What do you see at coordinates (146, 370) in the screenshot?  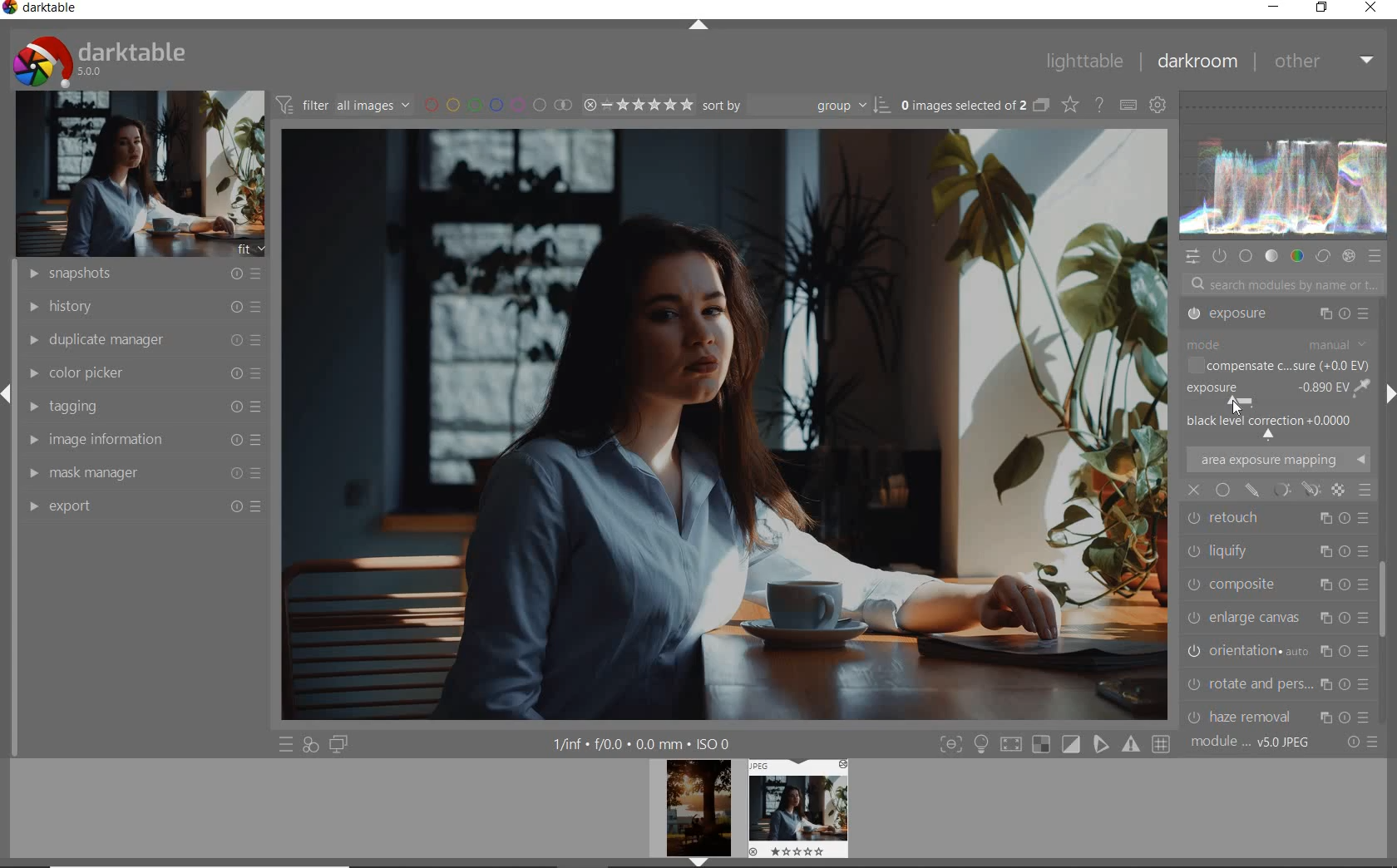 I see `COLOR PICKER` at bounding box center [146, 370].